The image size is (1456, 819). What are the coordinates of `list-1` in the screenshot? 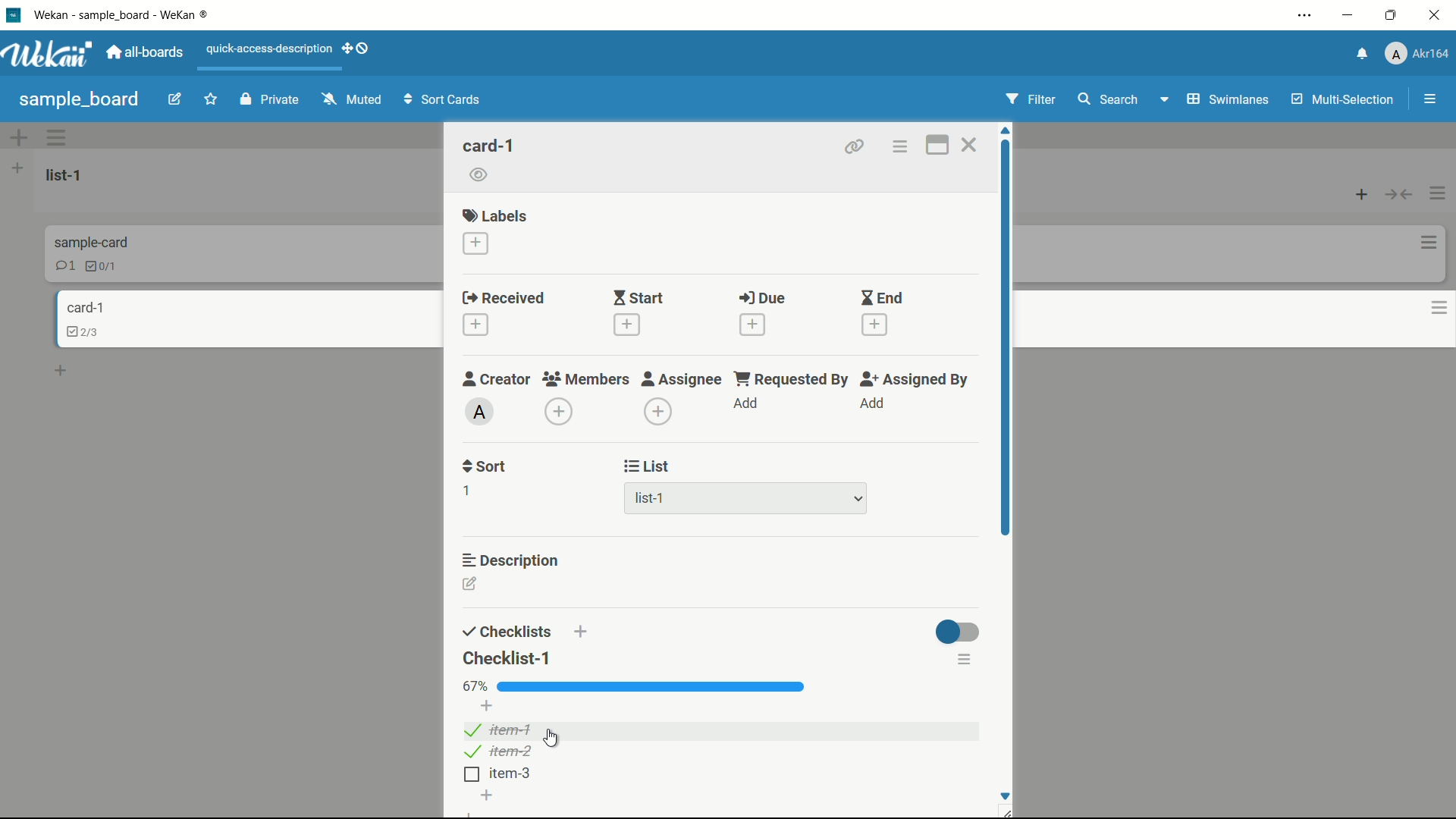 It's located at (654, 499).